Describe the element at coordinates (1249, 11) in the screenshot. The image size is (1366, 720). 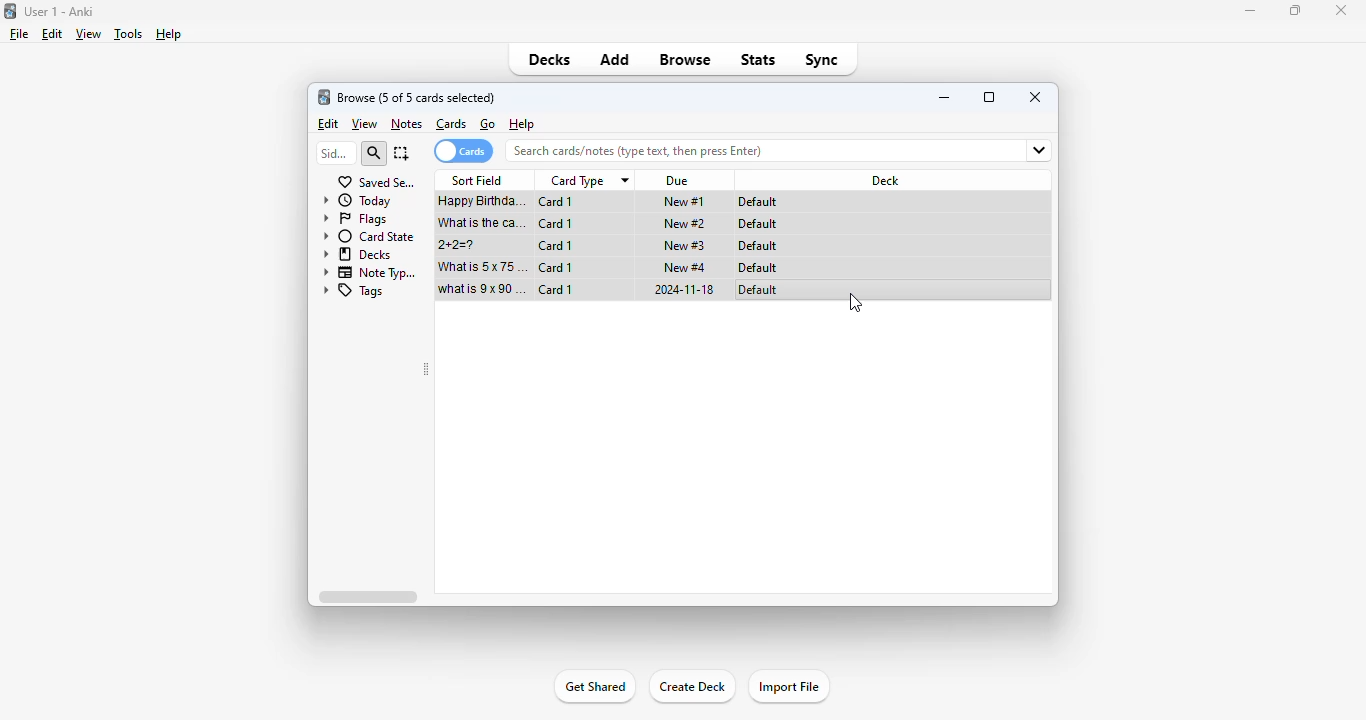
I see `minimize` at that location.